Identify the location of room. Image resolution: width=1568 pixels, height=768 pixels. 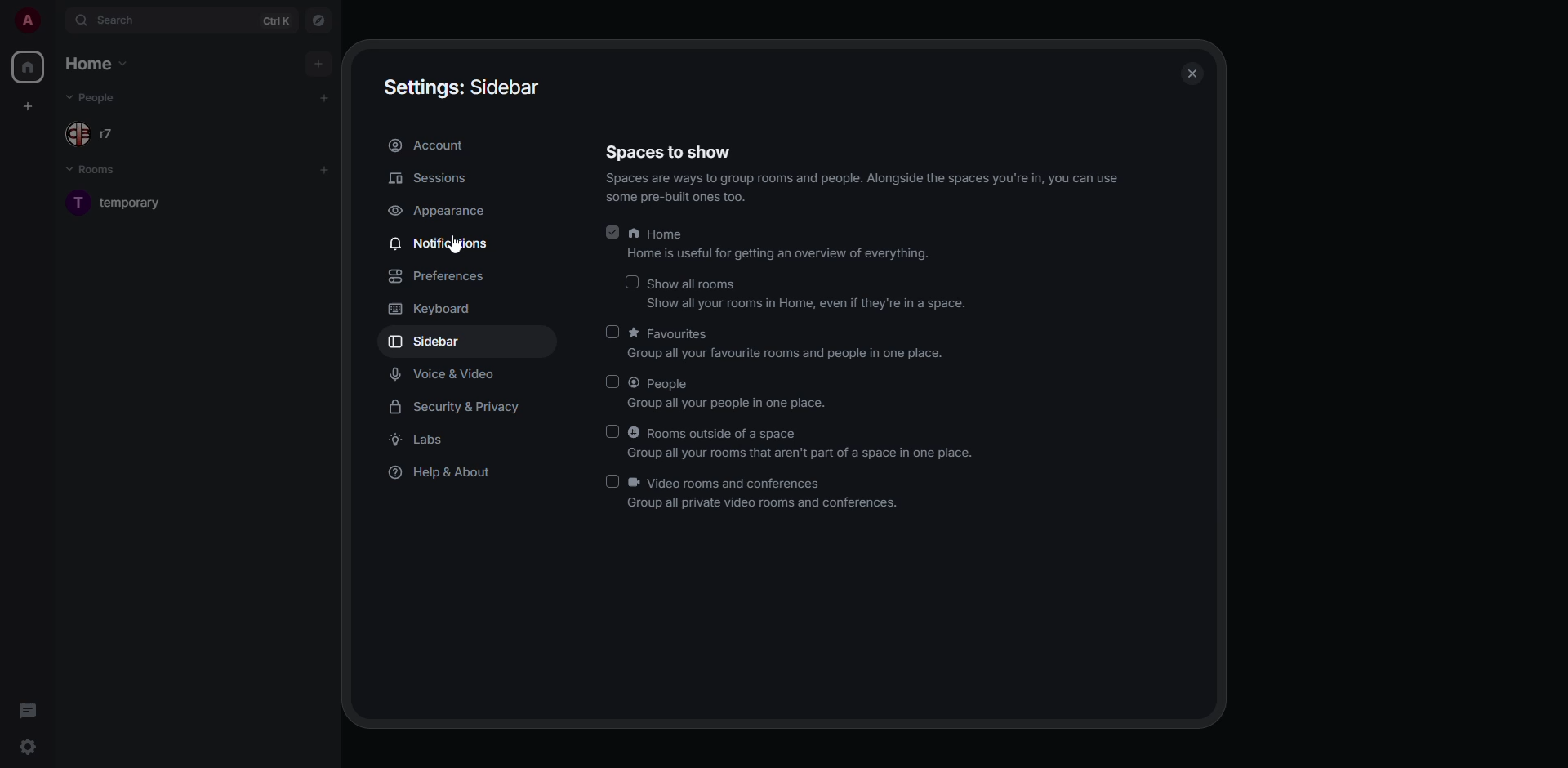
(129, 202).